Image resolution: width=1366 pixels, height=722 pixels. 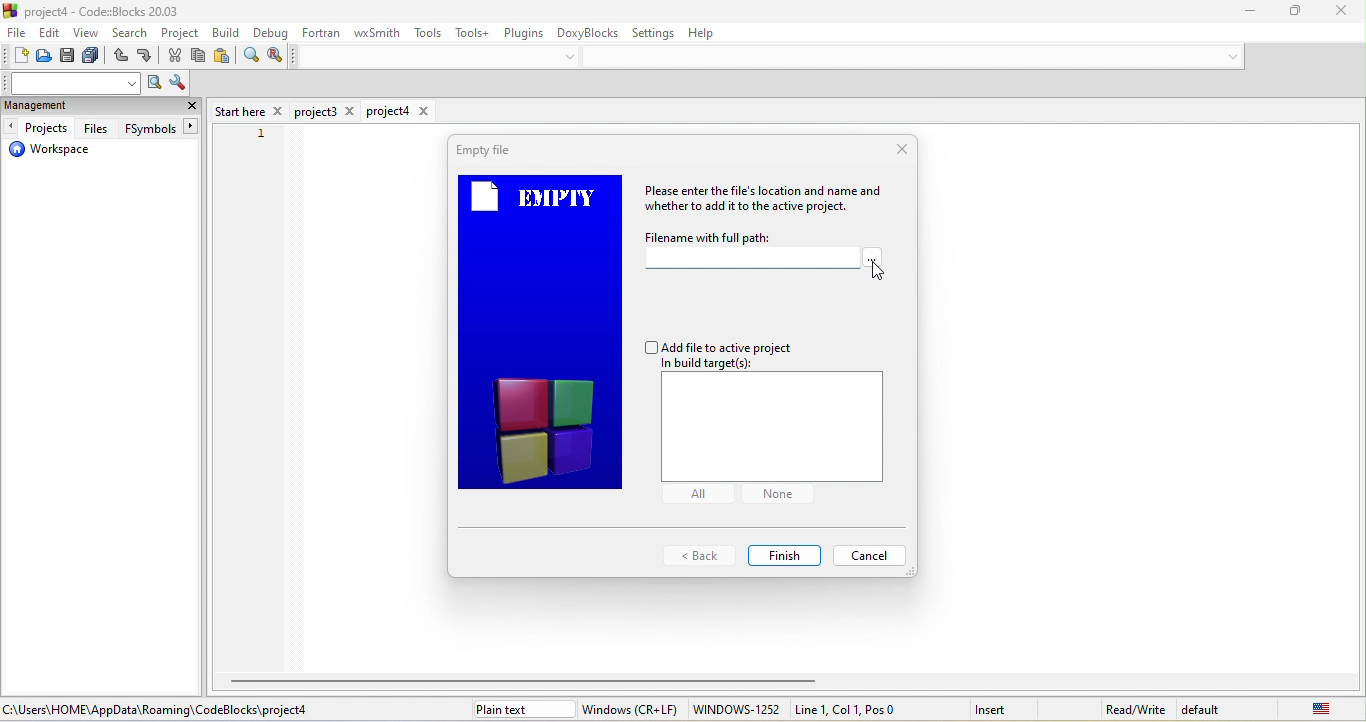 I want to click on plugins, so click(x=522, y=31).